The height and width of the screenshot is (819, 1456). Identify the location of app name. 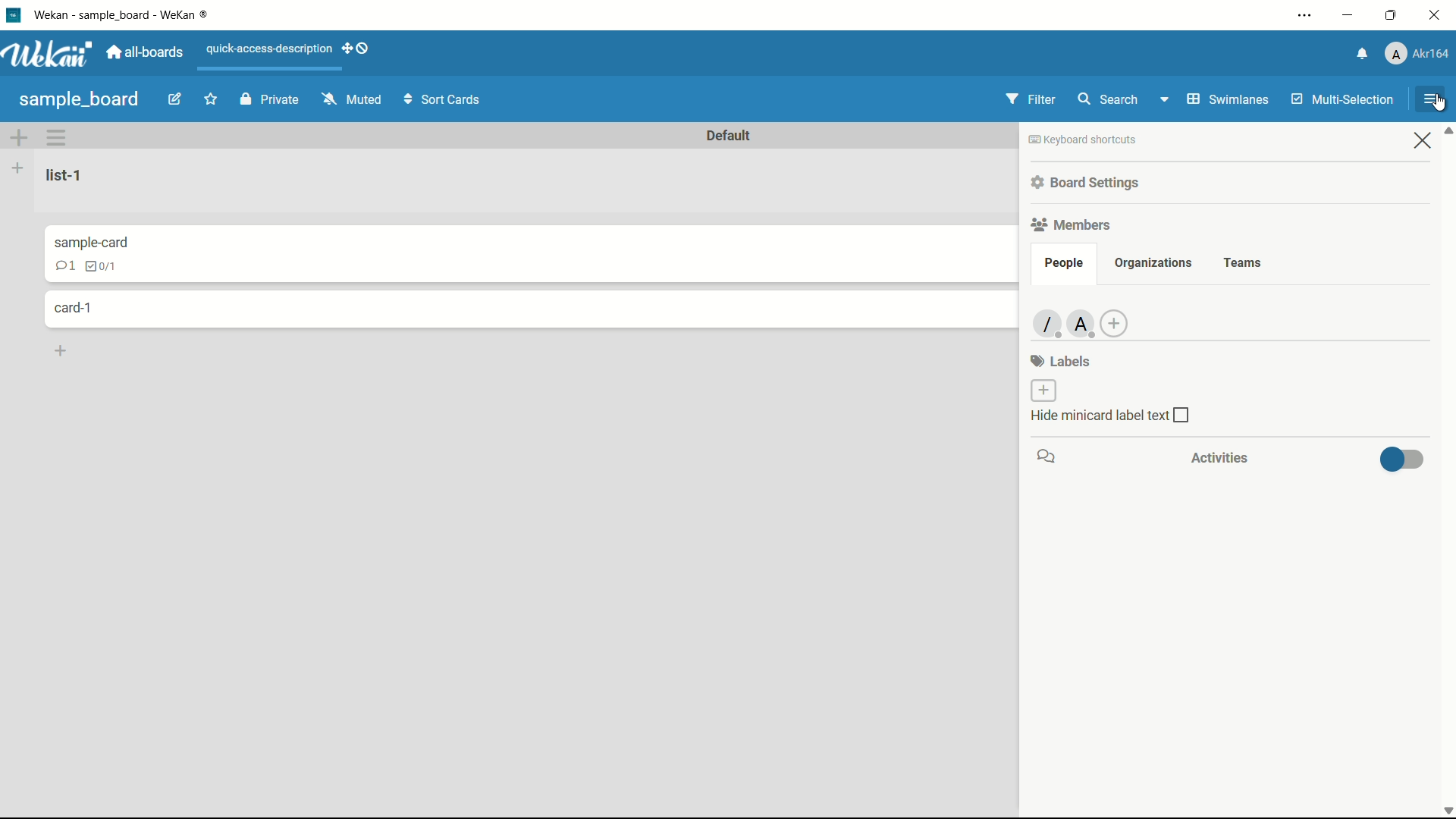
(124, 14).